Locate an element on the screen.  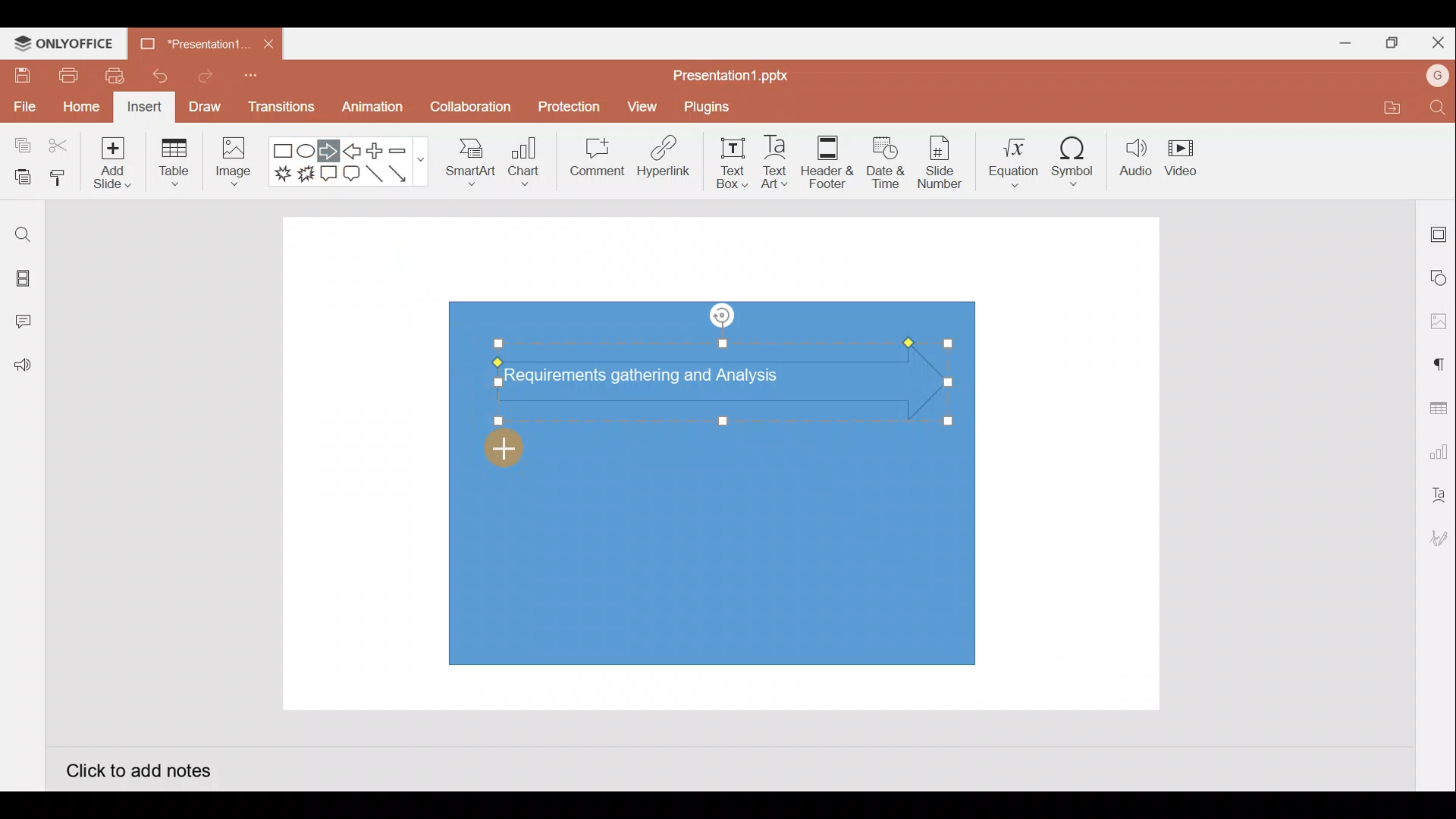
Account name is located at coordinates (1438, 76).